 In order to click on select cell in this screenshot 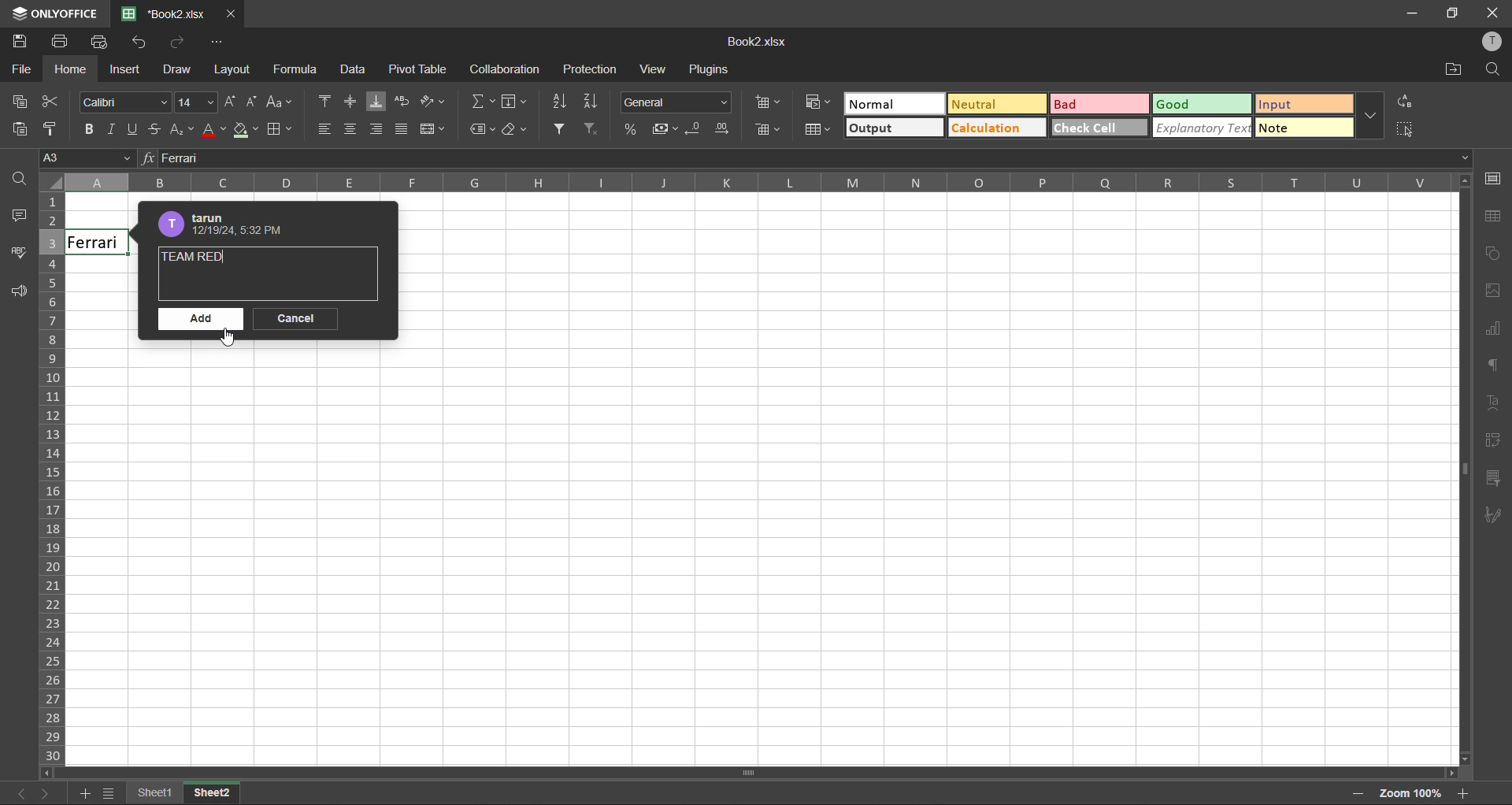, I will do `click(1410, 133)`.